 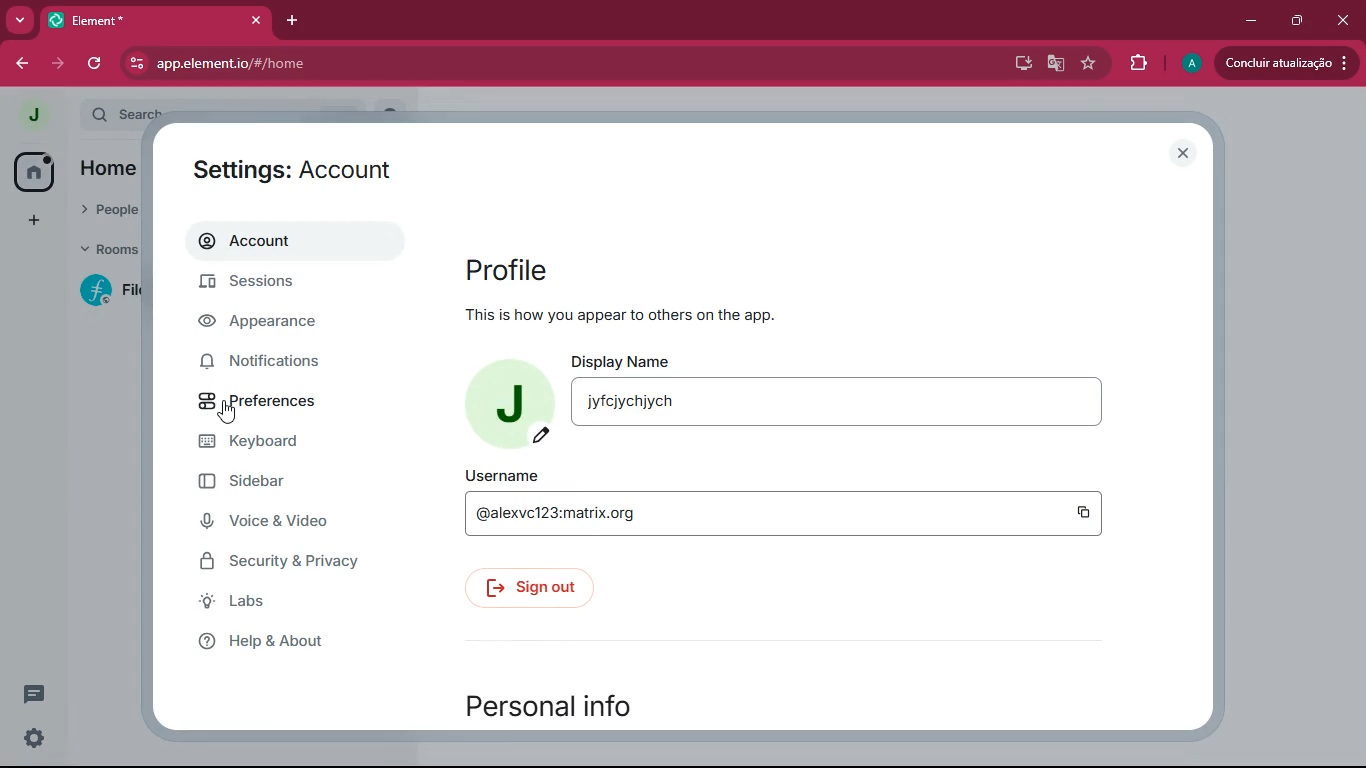 What do you see at coordinates (299, 241) in the screenshot?
I see `account` at bounding box center [299, 241].